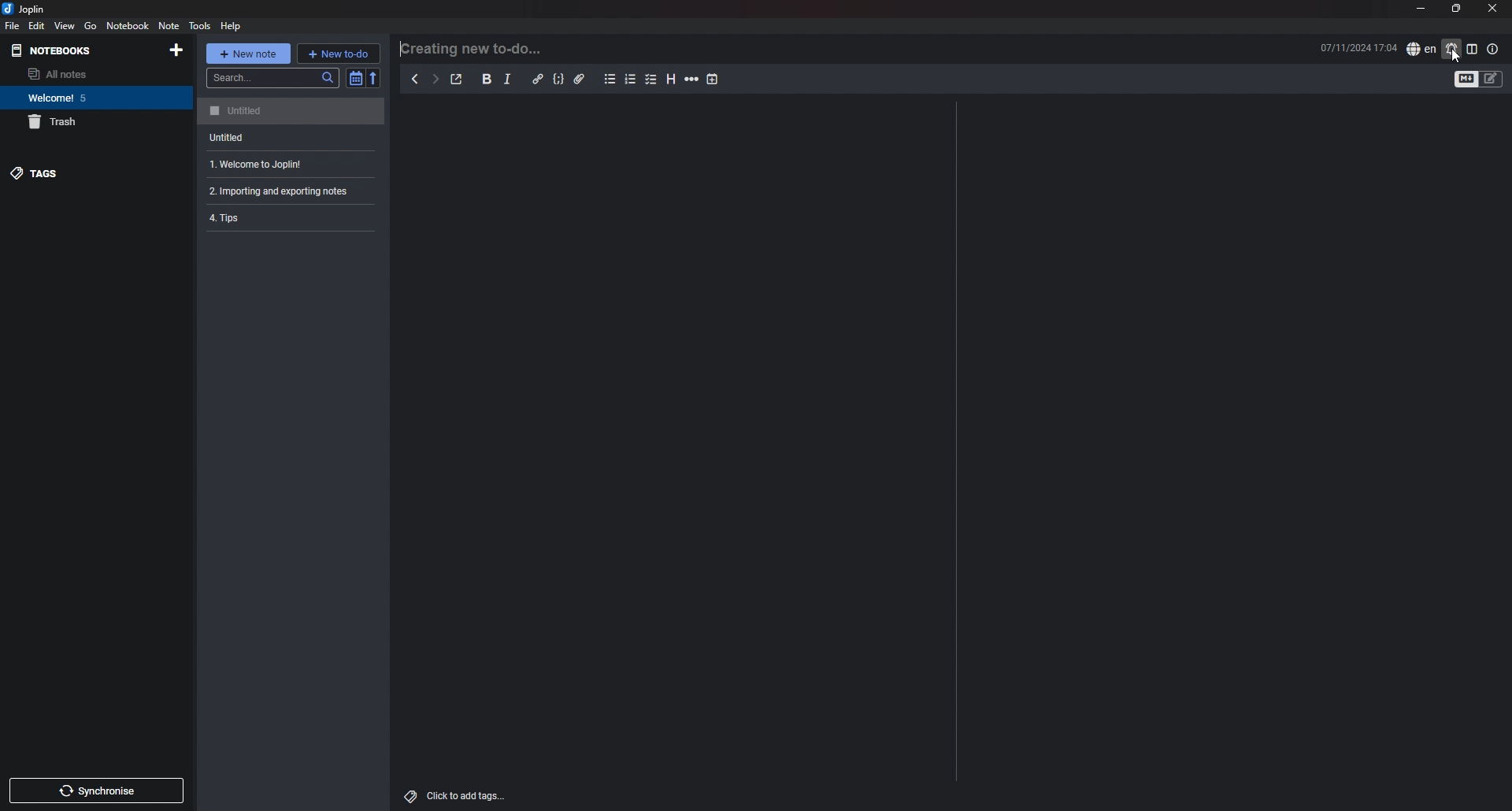 The height and width of the screenshot is (811, 1512). Describe the element at coordinates (199, 26) in the screenshot. I see `tools` at that location.